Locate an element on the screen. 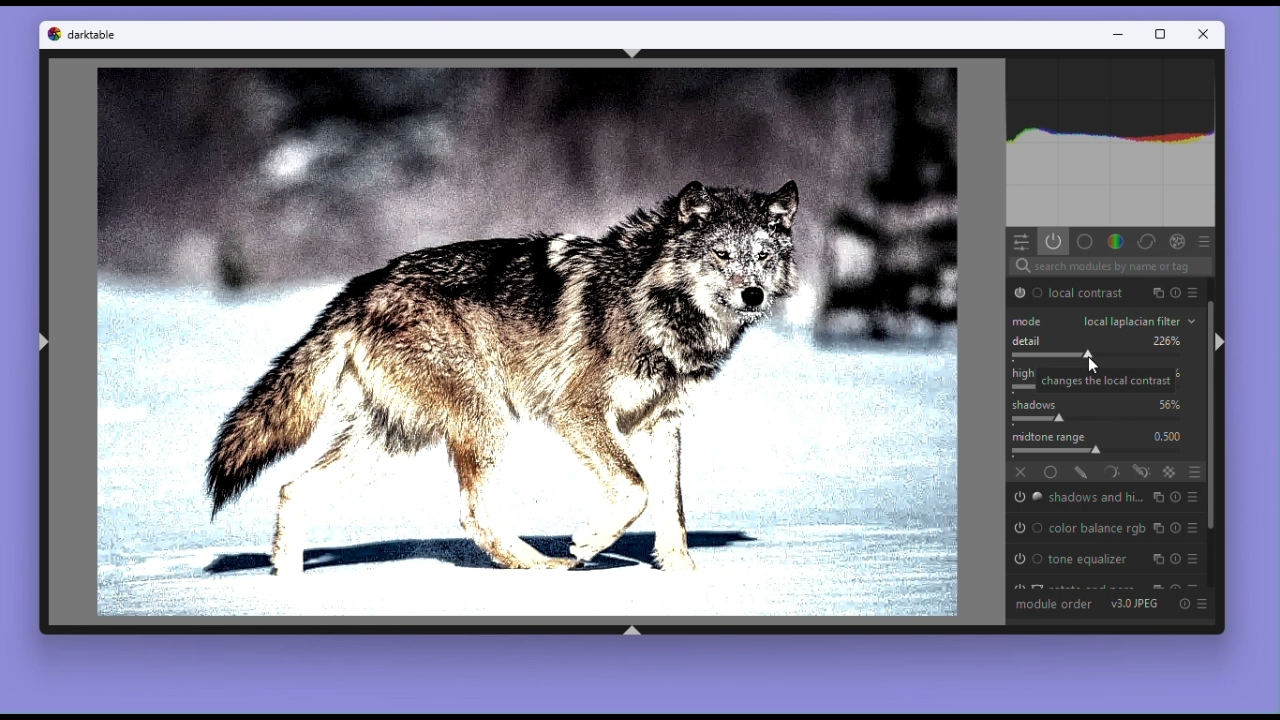   is located at coordinates (1176, 498).